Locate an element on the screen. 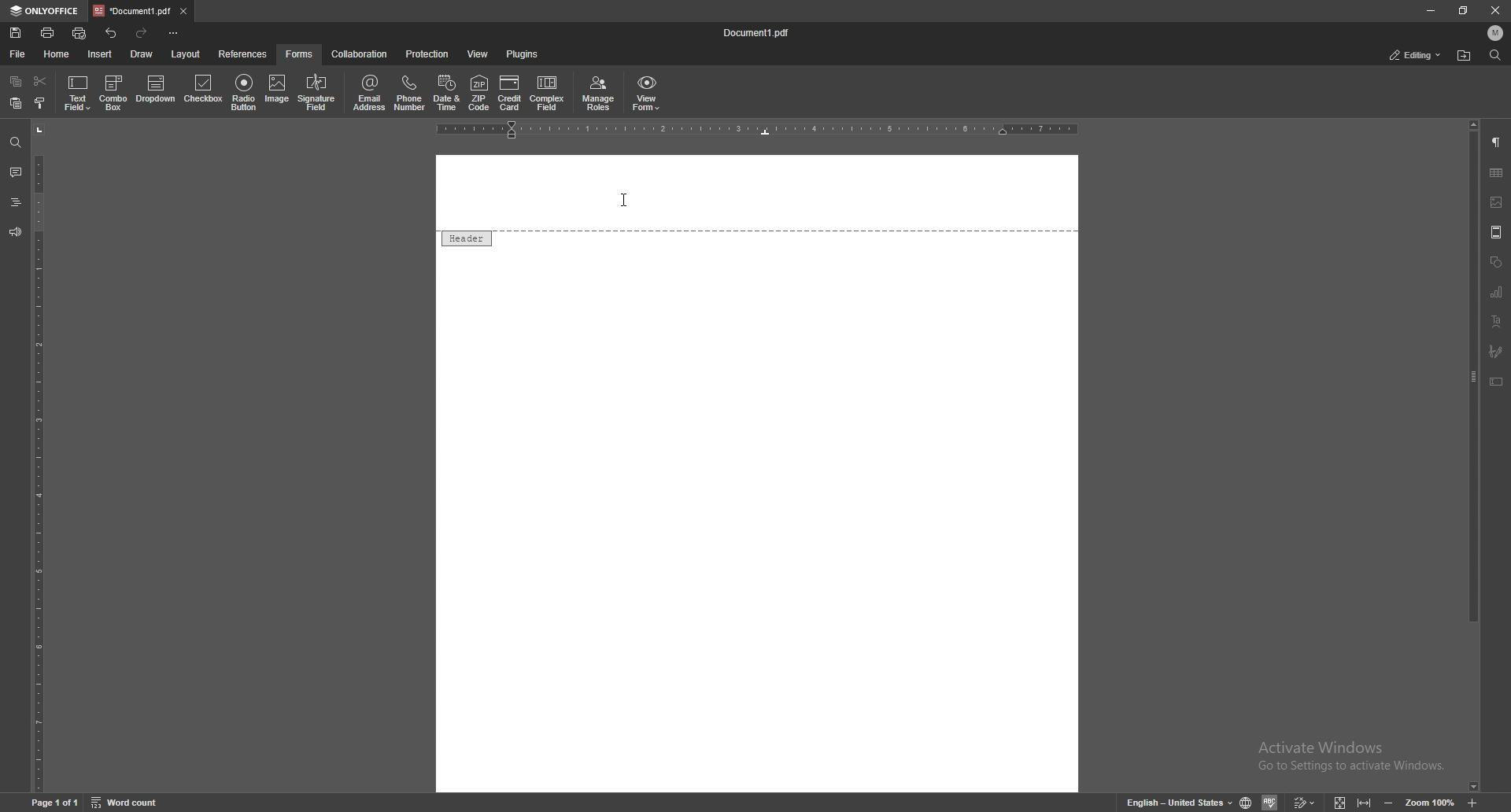 The width and height of the screenshot is (1511, 812). undo is located at coordinates (111, 33).